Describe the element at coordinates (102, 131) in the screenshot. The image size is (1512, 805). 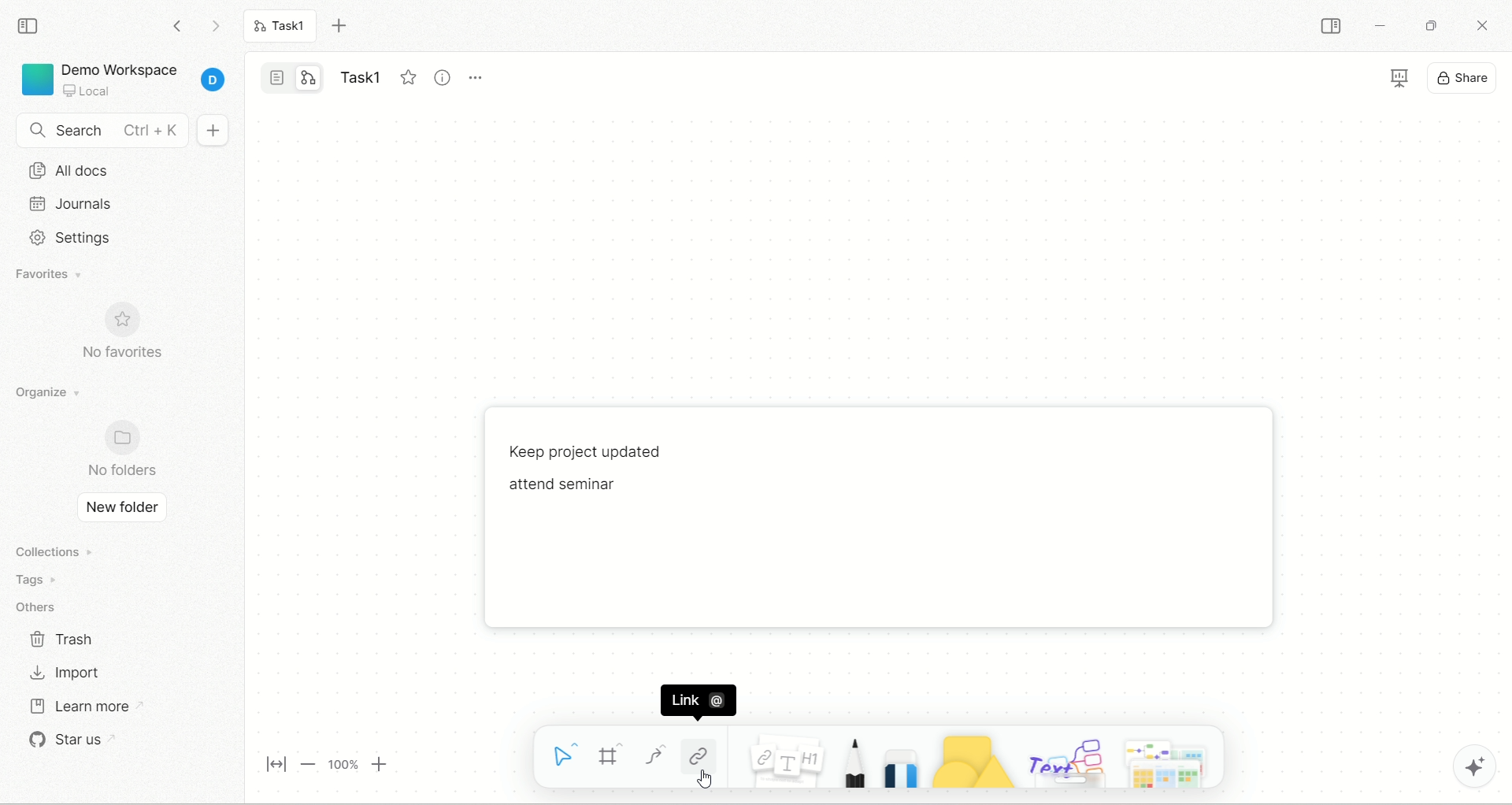
I see `search` at that location.